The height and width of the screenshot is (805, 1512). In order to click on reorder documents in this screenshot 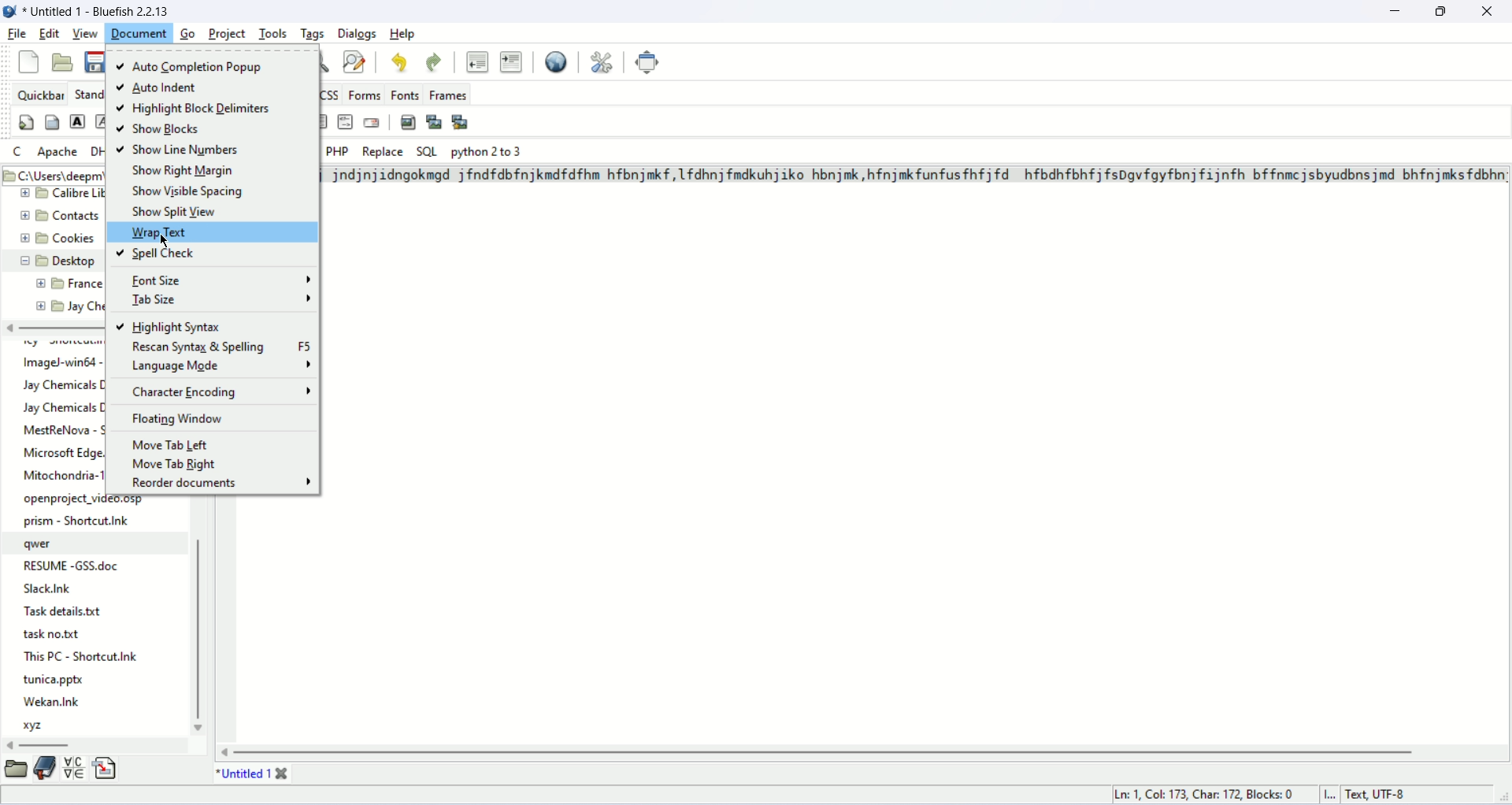, I will do `click(221, 485)`.